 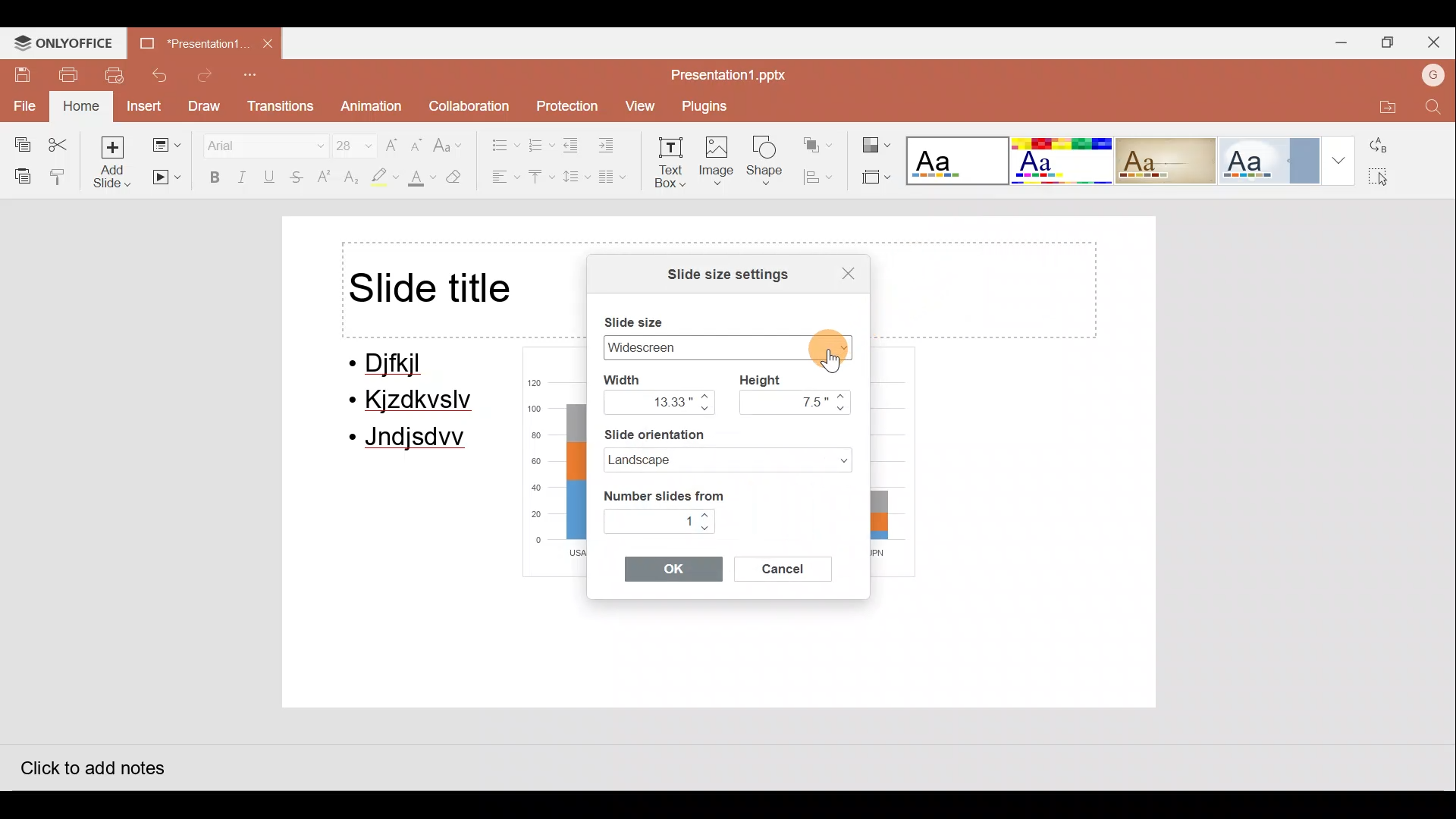 I want to click on Presentation1., so click(x=192, y=42).